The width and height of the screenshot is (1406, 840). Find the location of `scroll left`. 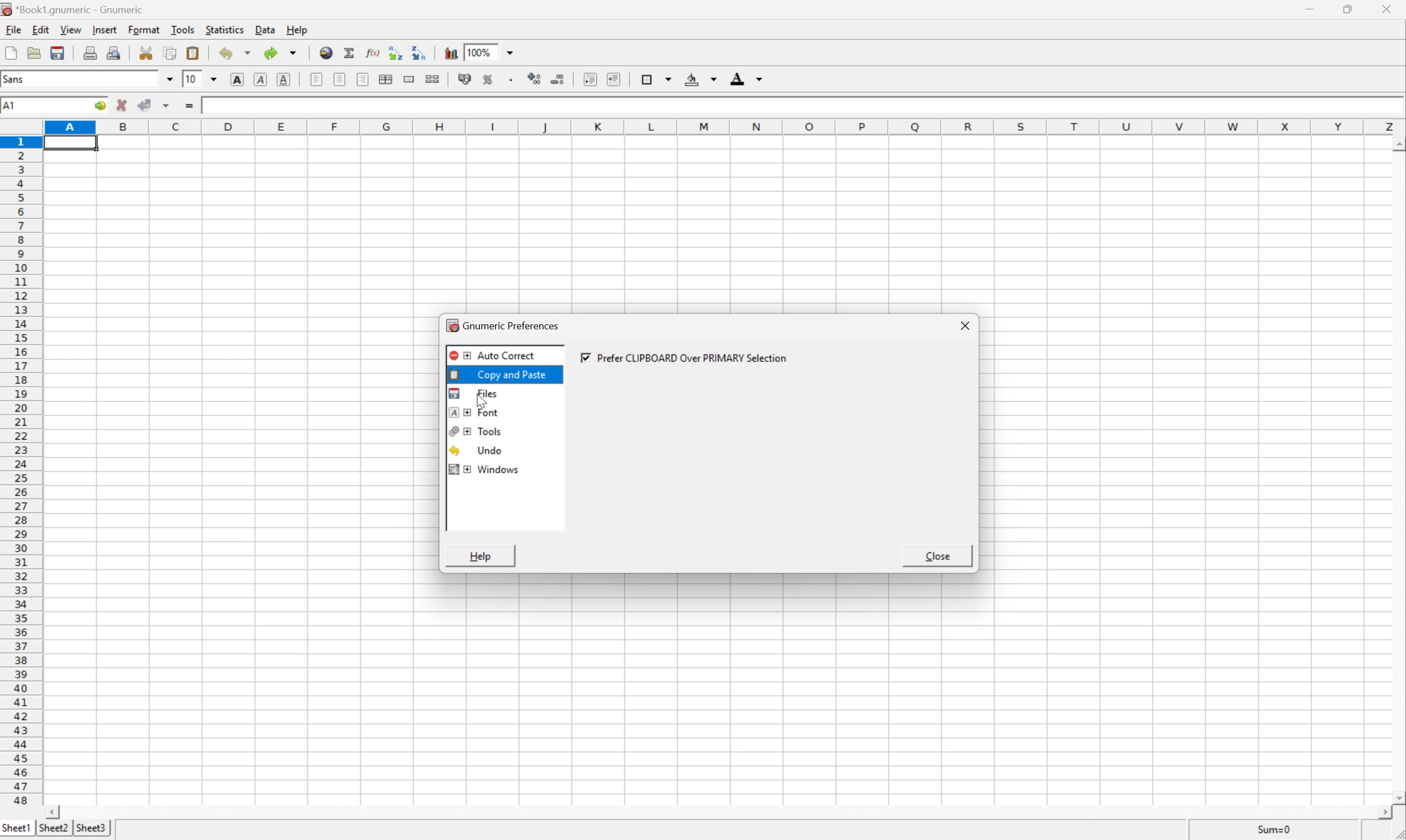

scroll left is located at coordinates (68, 813).